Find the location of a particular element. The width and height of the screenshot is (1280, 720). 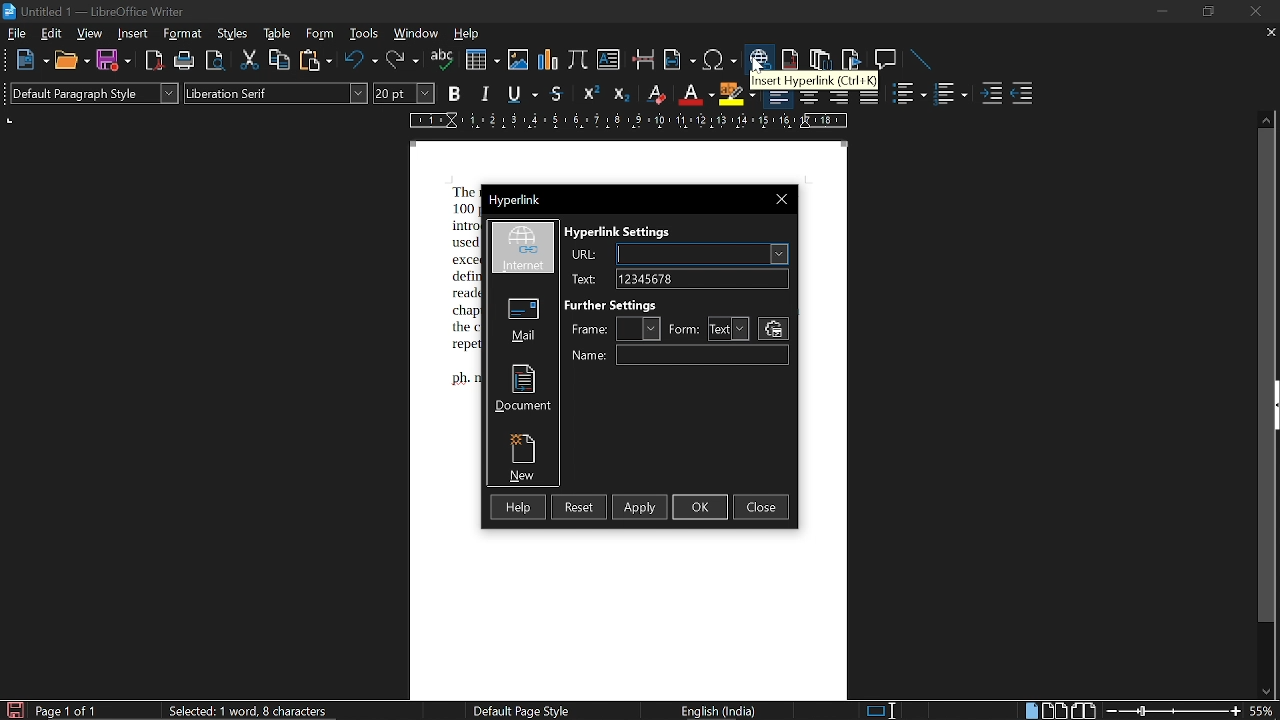

undo is located at coordinates (358, 63).